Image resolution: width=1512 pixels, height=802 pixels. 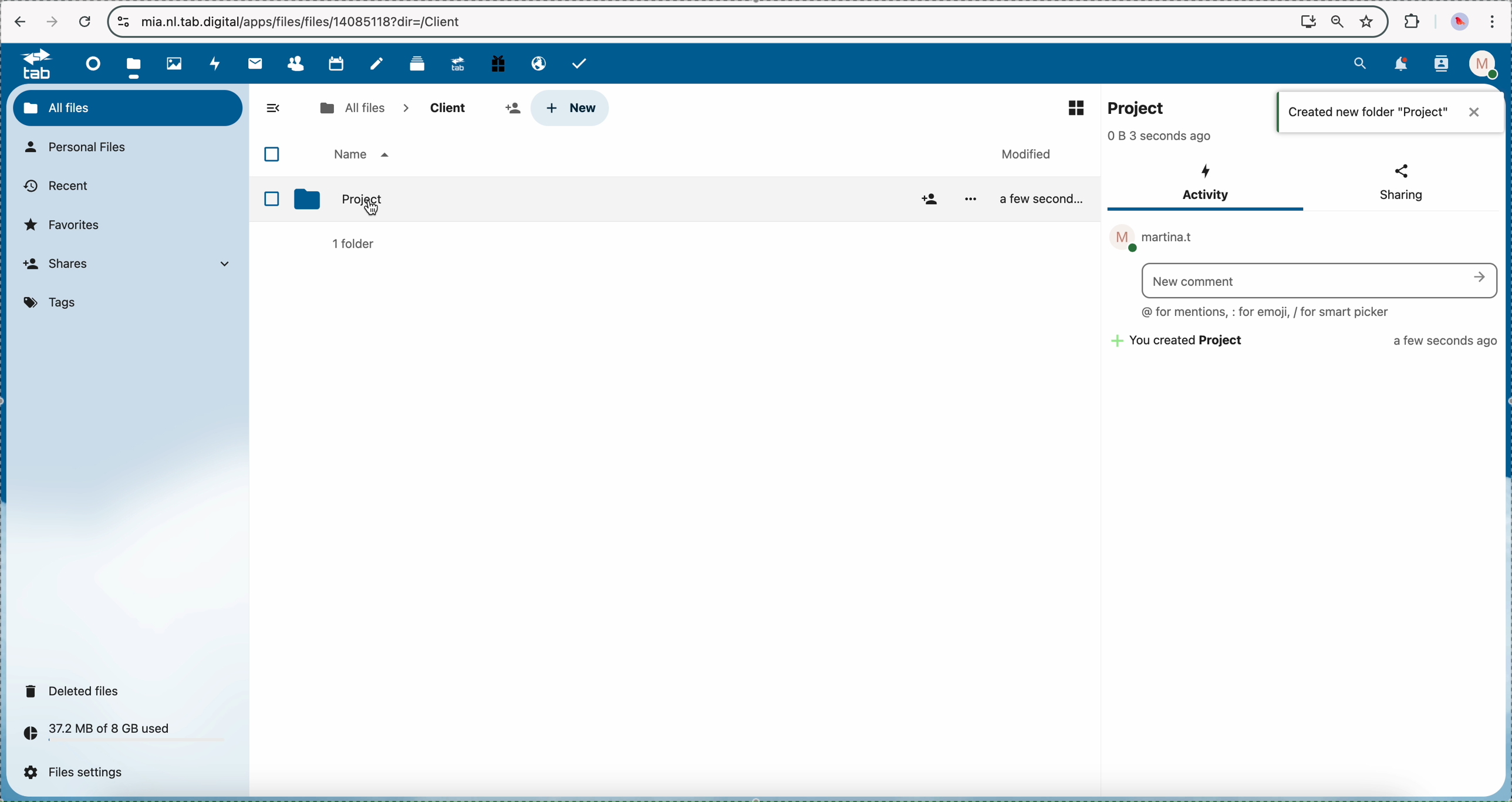 What do you see at coordinates (369, 209) in the screenshot?
I see `Cursor` at bounding box center [369, 209].